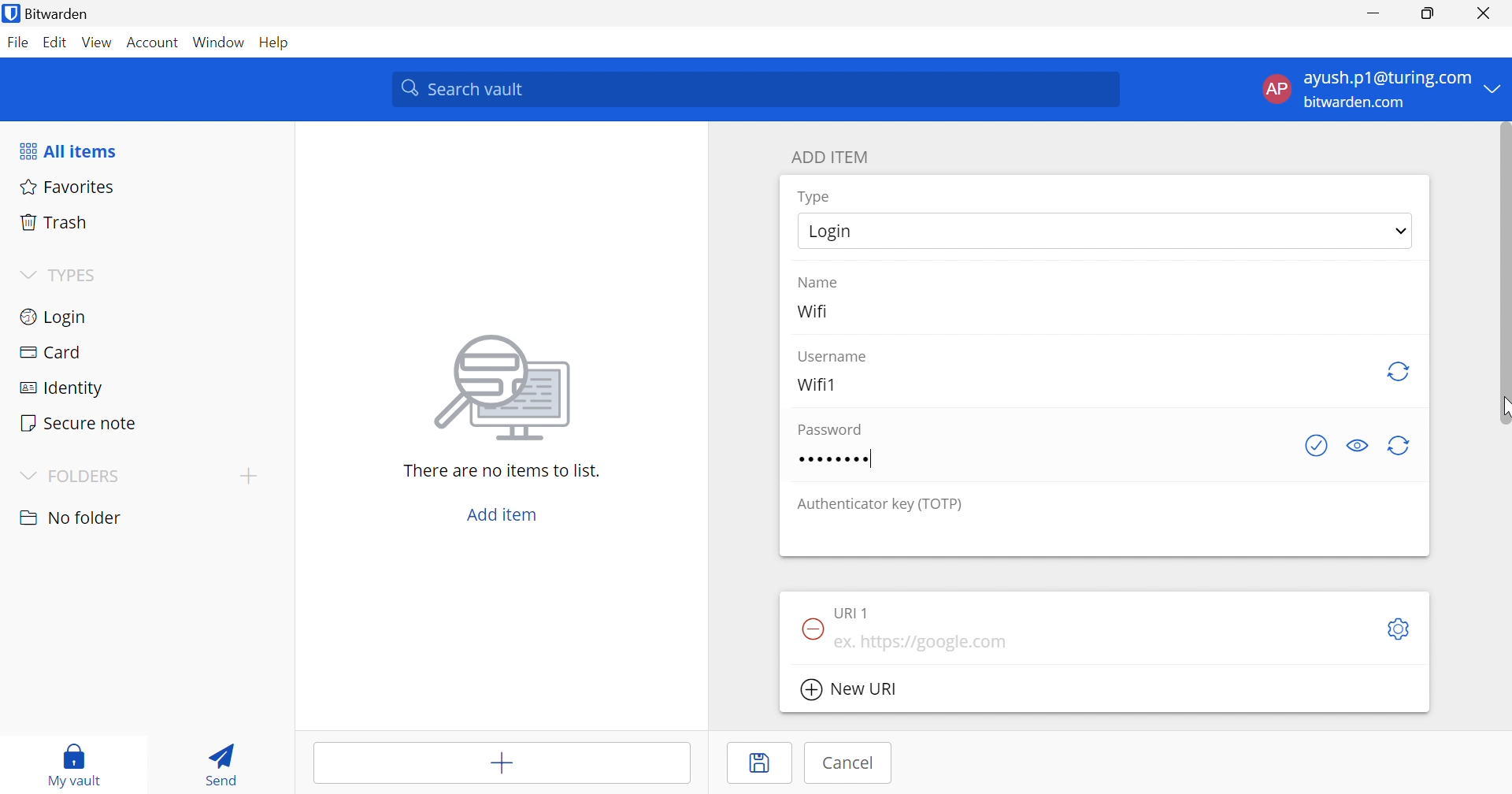 This screenshot has height=794, width=1512. What do you see at coordinates (1373, 14) in the screenshot?
I see `Minimize` at bounding box center [1373, 14].